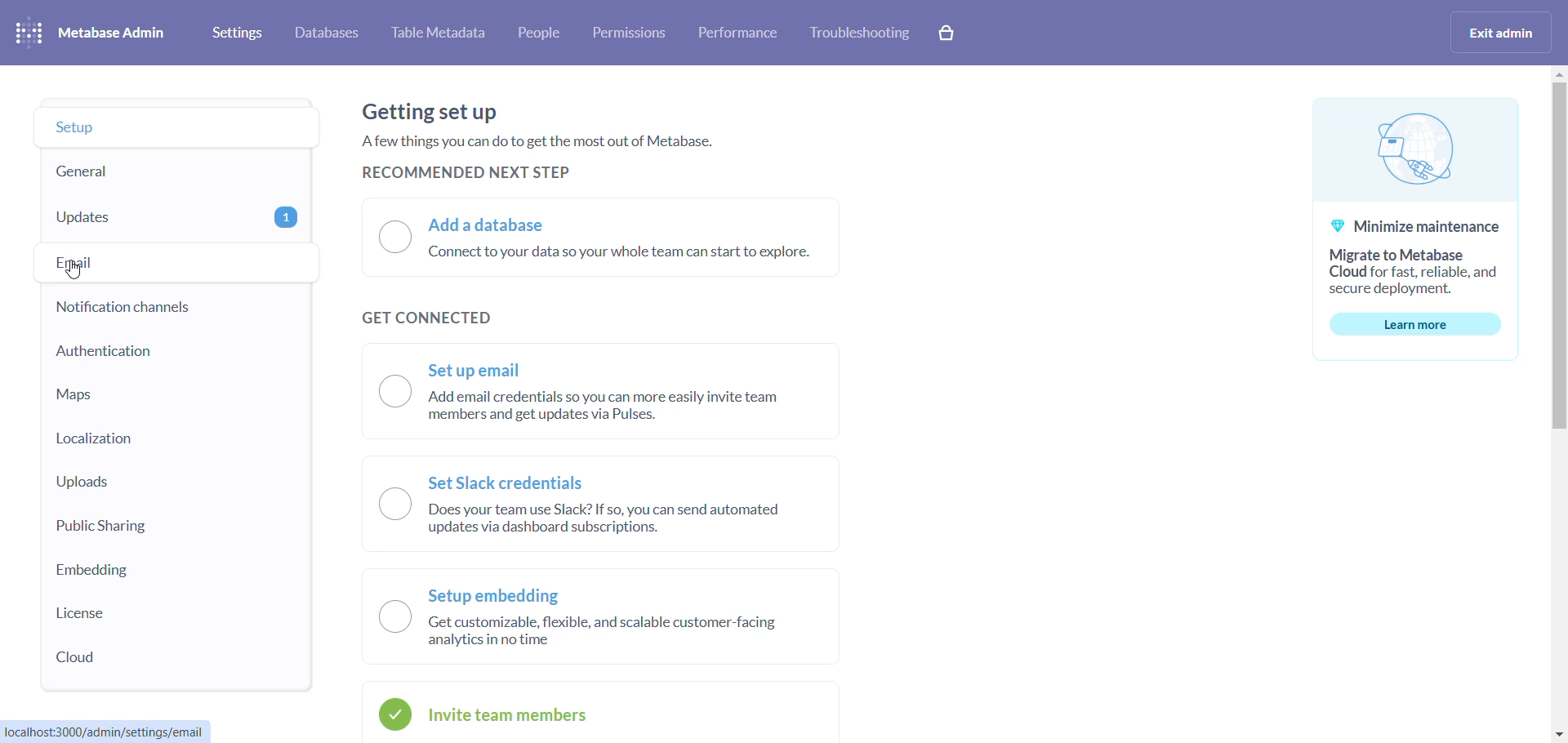 Image resolution: width=1568 pixels, height=743 pixels. I want to click on ~ Set up email
O Add email credentials so you can more easily invite team
members and get updates via Pulses., so click(603, 398).